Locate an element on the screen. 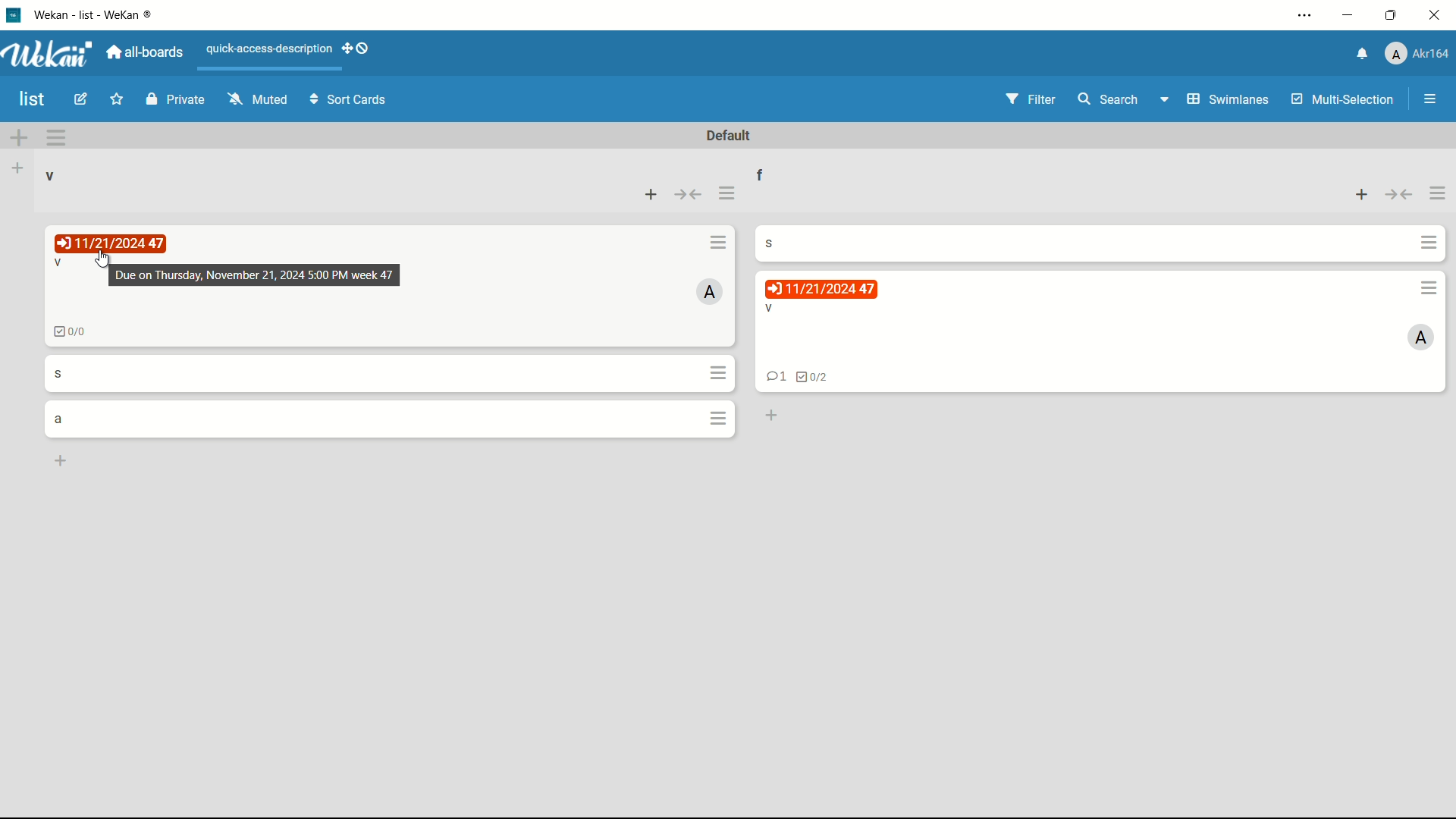 The image size is (1456, 819). minimize is located at coordinates (1351, 15).